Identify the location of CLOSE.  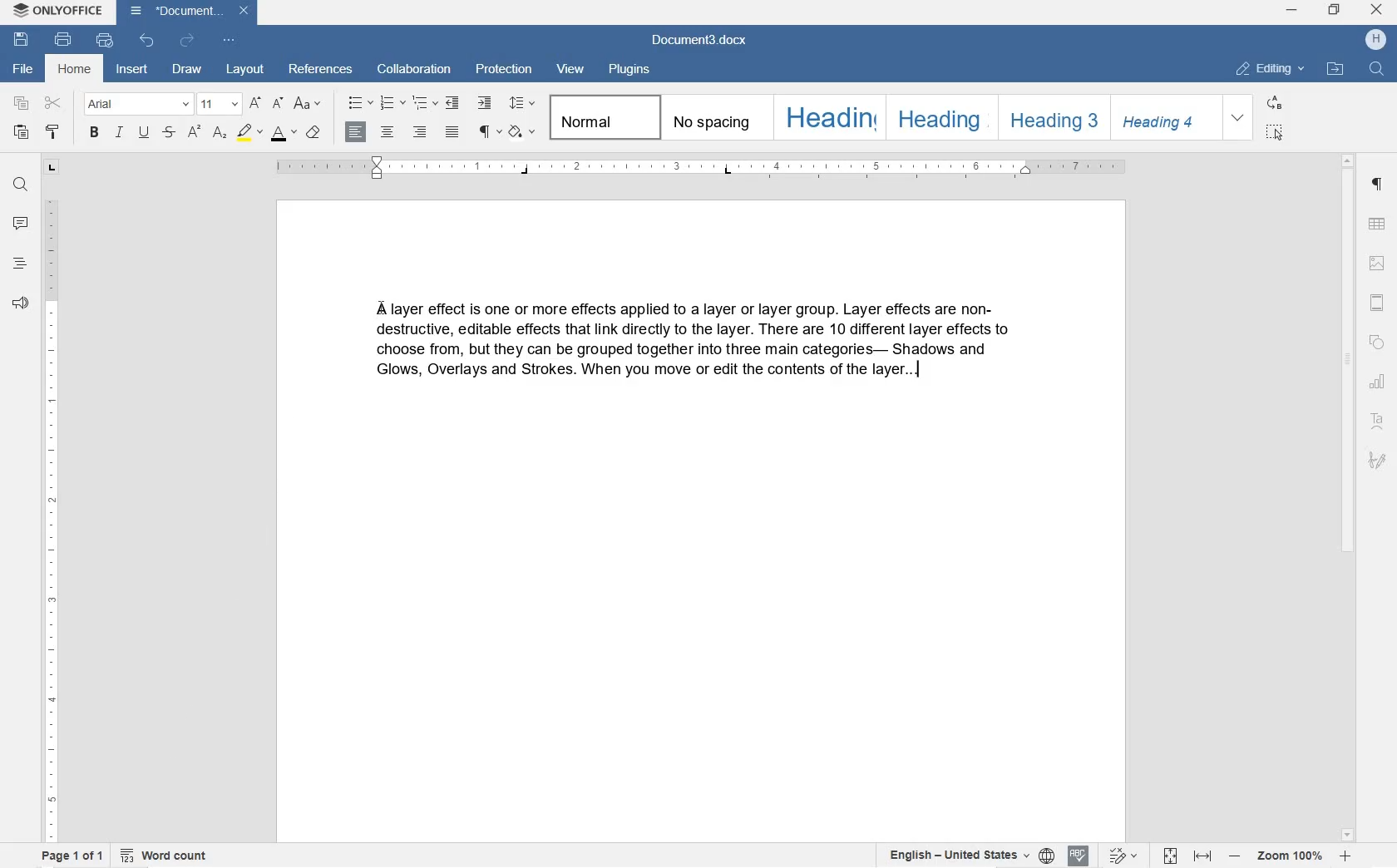
(1378, 12).